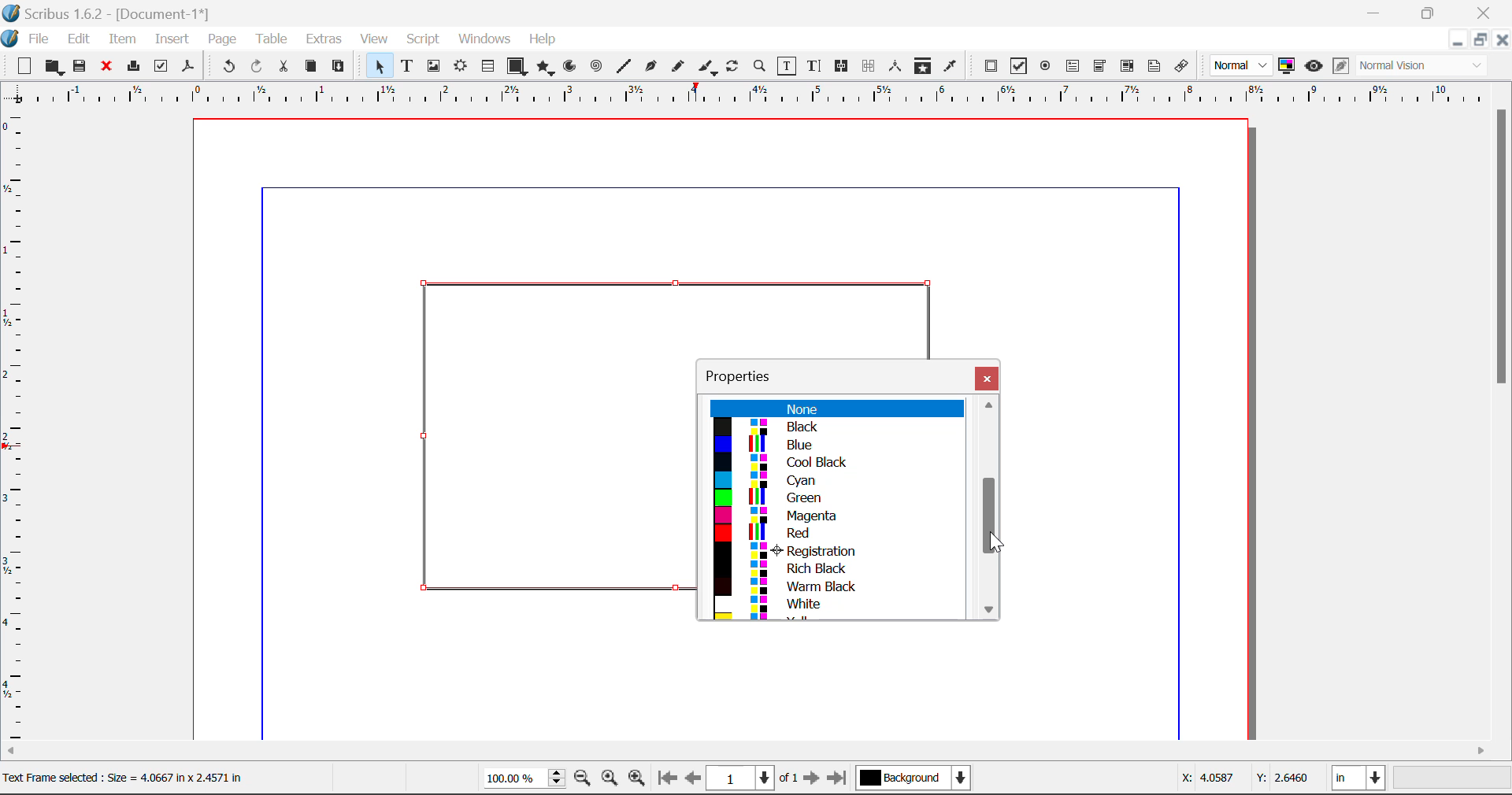 The width and height of the screenshot is (1512, 795). What do you see at coordinates (813, 67) in the screenshot?
I see `Edit Text With Story Editor` at bounding box center [813, 67].